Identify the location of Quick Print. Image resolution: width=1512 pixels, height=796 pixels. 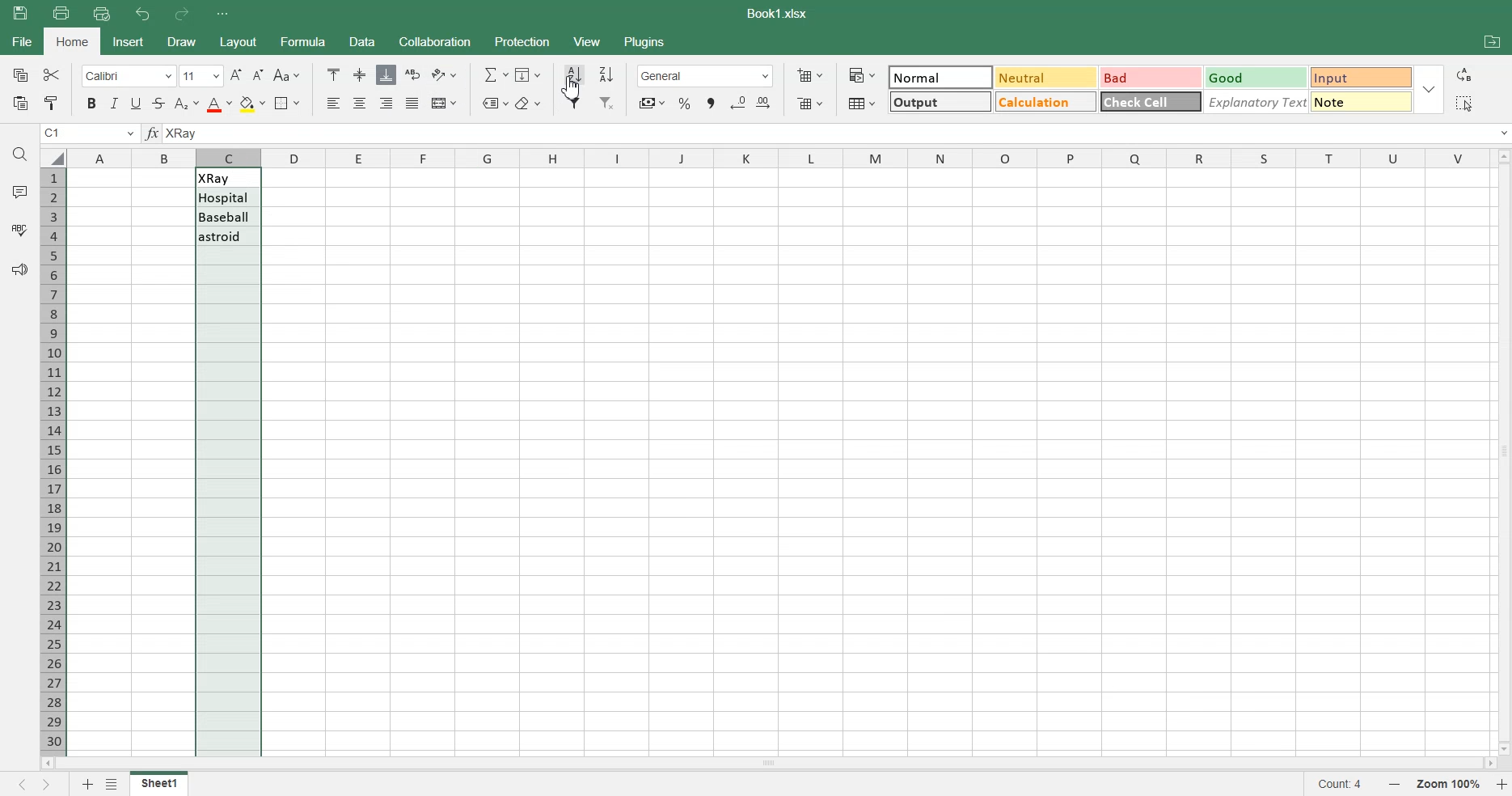
(102, 14).